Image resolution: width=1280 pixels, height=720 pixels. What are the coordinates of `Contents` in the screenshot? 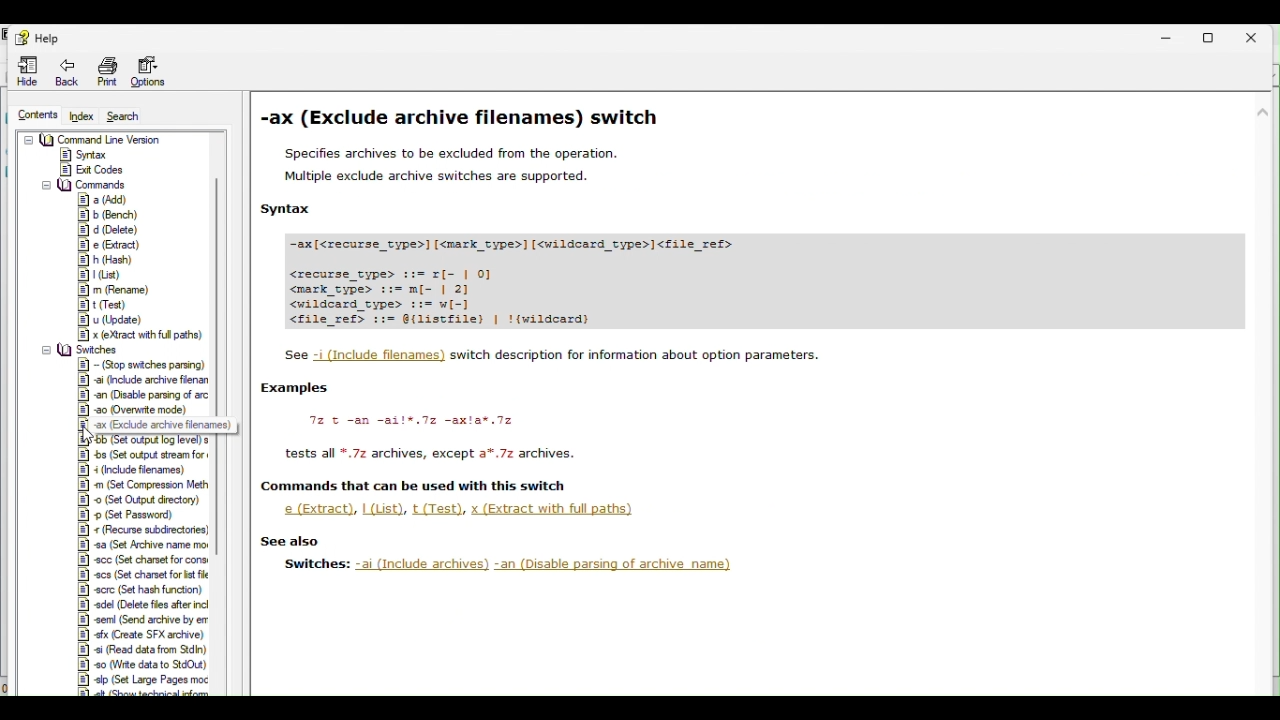 It's located at (30, 114).